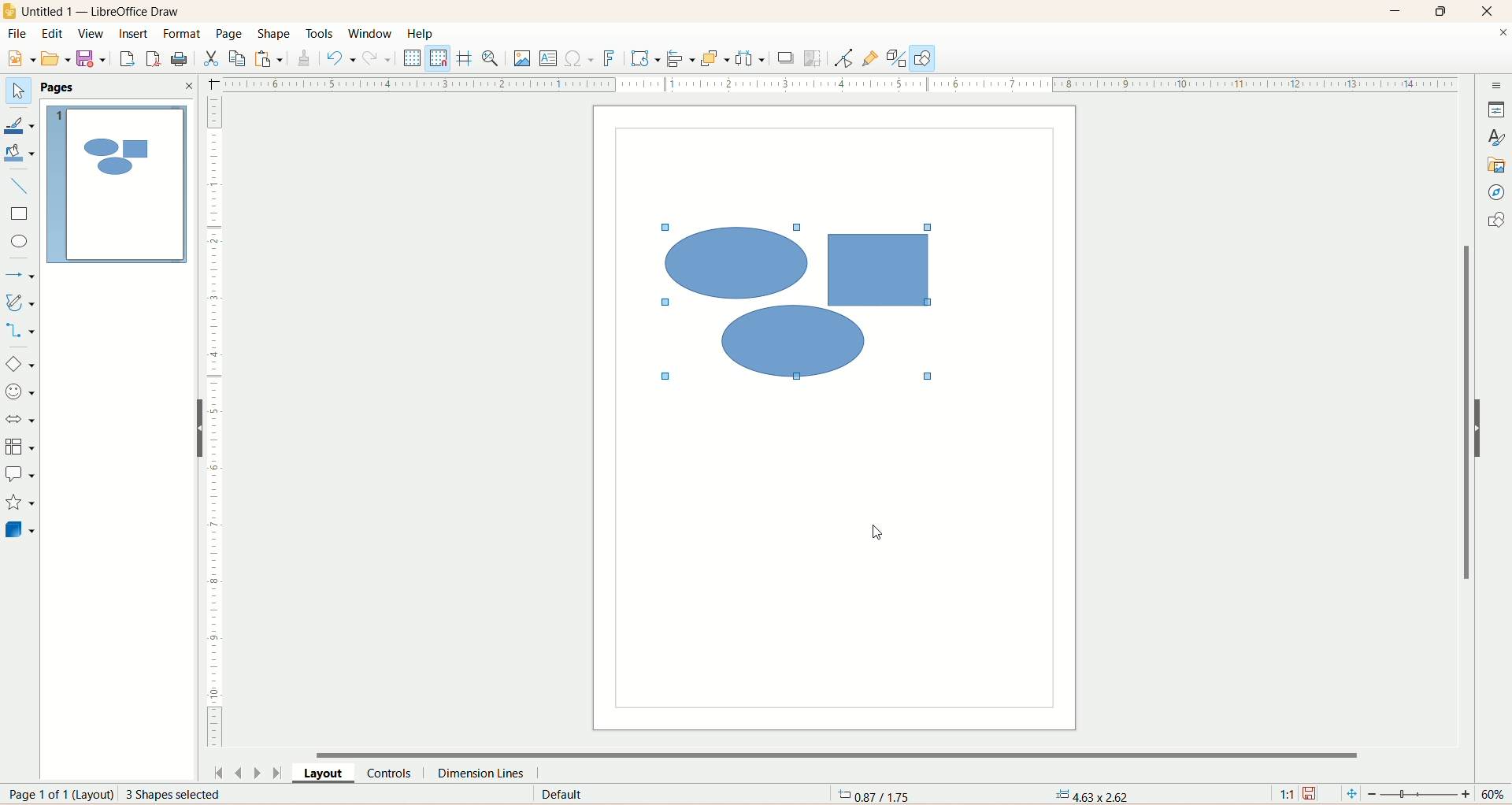 This screenshot has height=805, width=1512. I want to click on block arrows, so click(21, 421).